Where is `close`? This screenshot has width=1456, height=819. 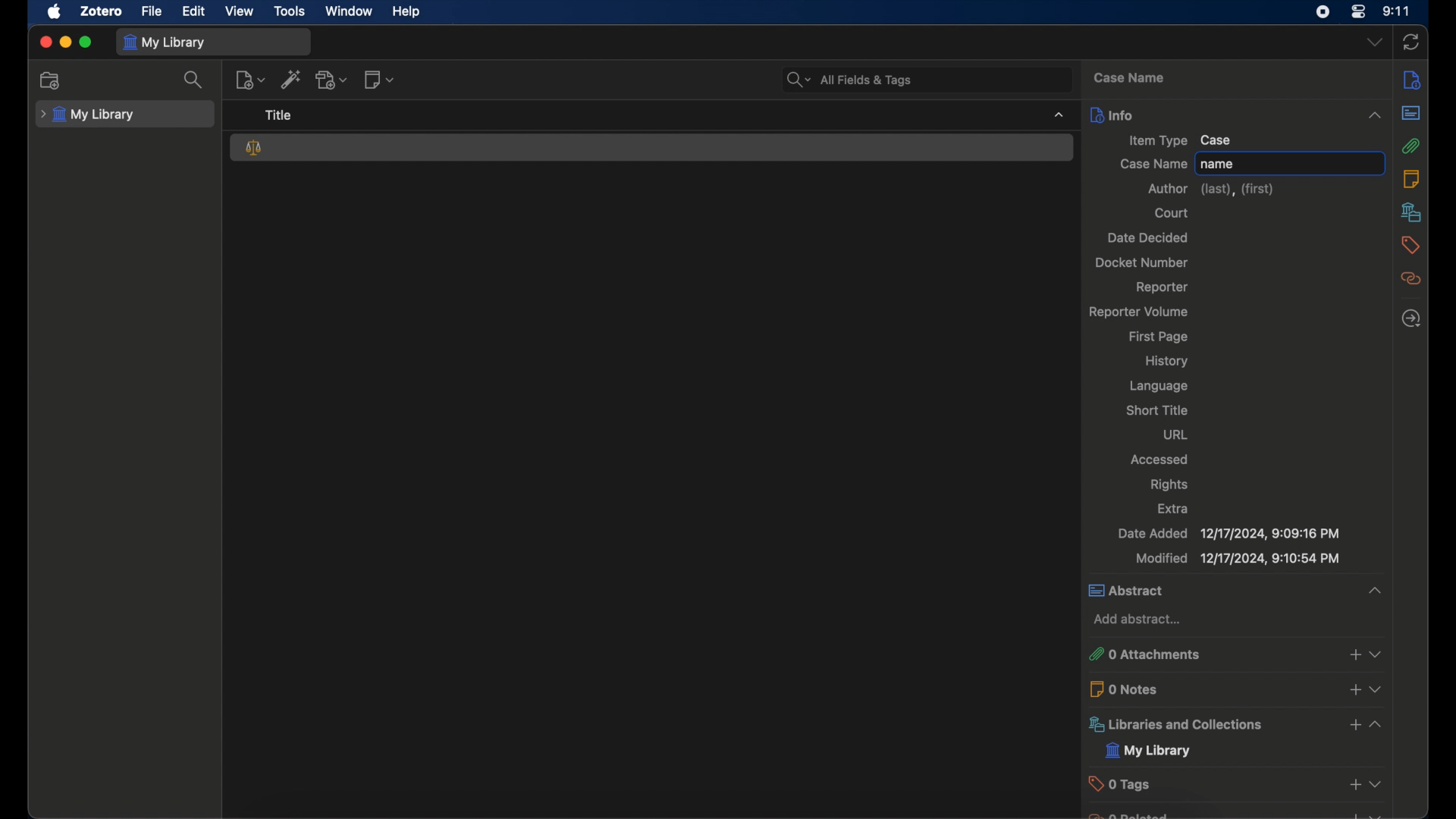
close is located at coordinates (45, 41).